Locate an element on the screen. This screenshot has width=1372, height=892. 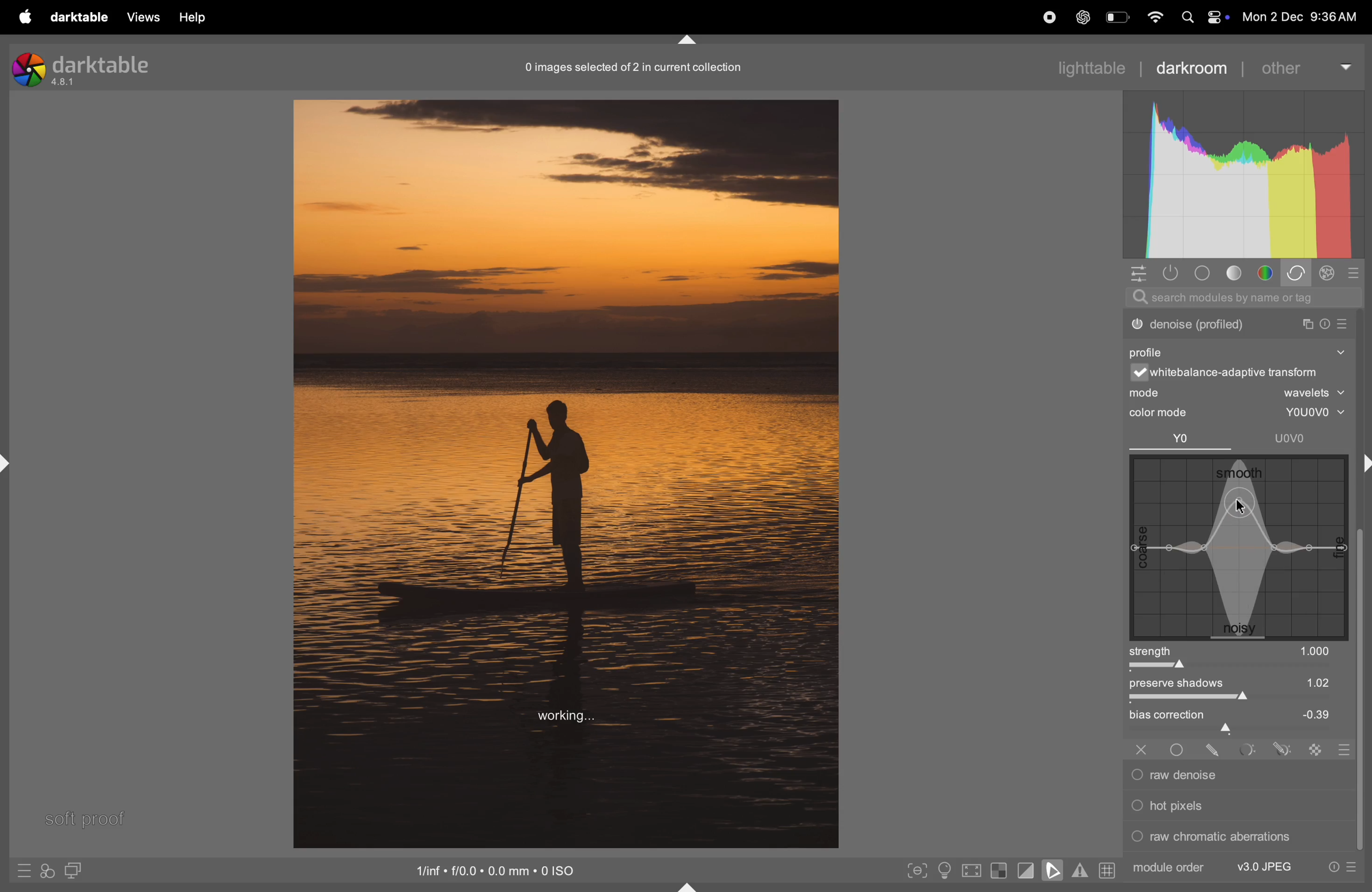
sign is located at coordinates (1316, 749).